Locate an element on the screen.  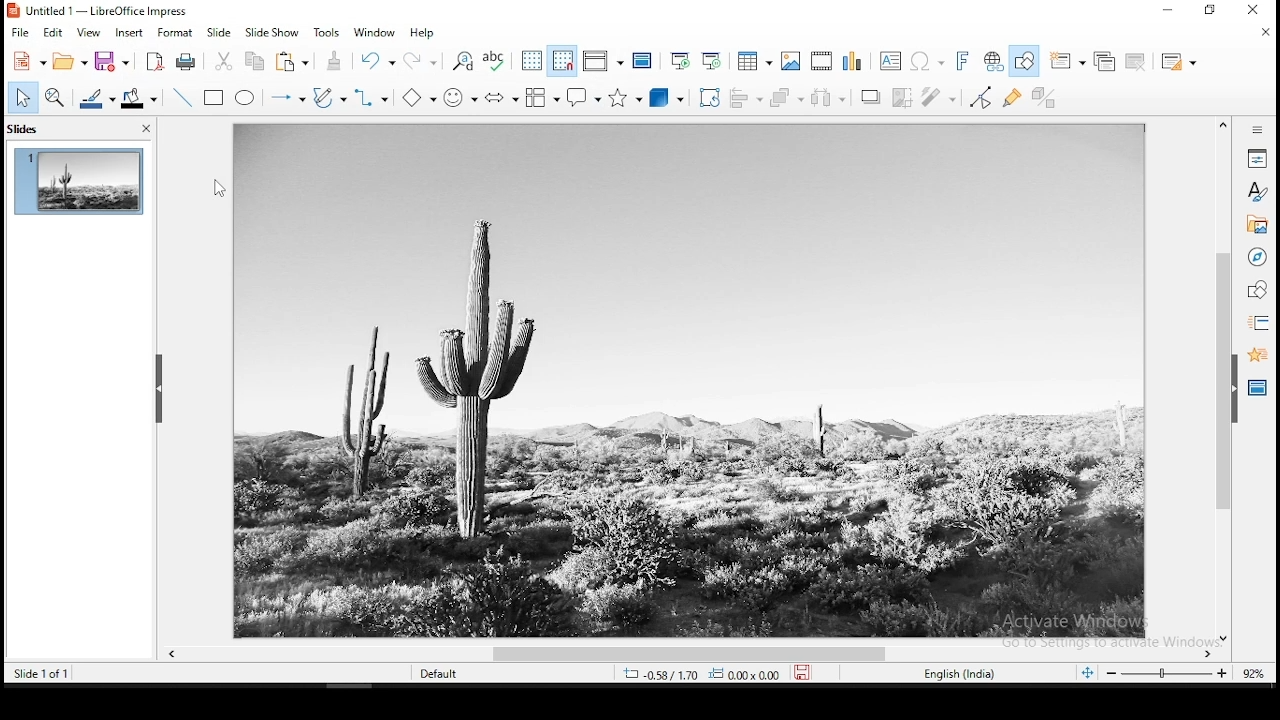
show draw functions is located at coordinates (1024, 60).